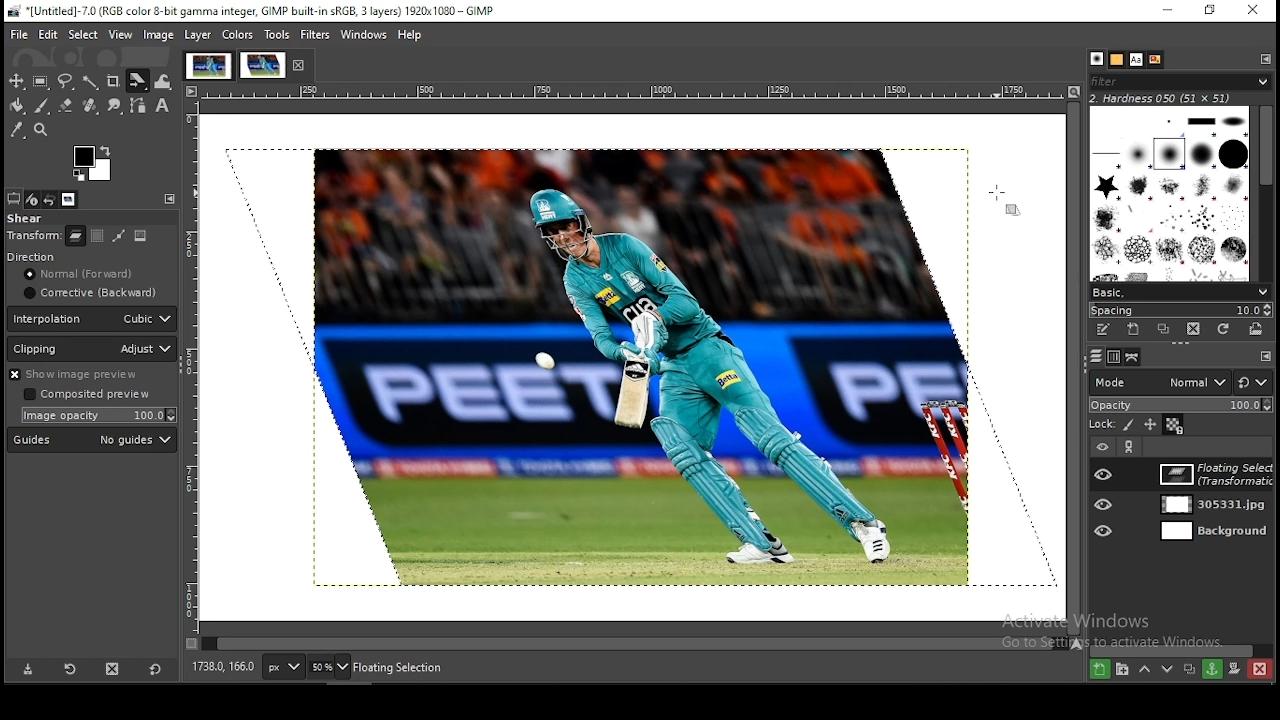 This screenshot has height=720, width=1280. What do you see at coordinates (406, 668) in the screenshot?
I see `305331.jpg (23.3 mb)` at bounding box center [406, 668].